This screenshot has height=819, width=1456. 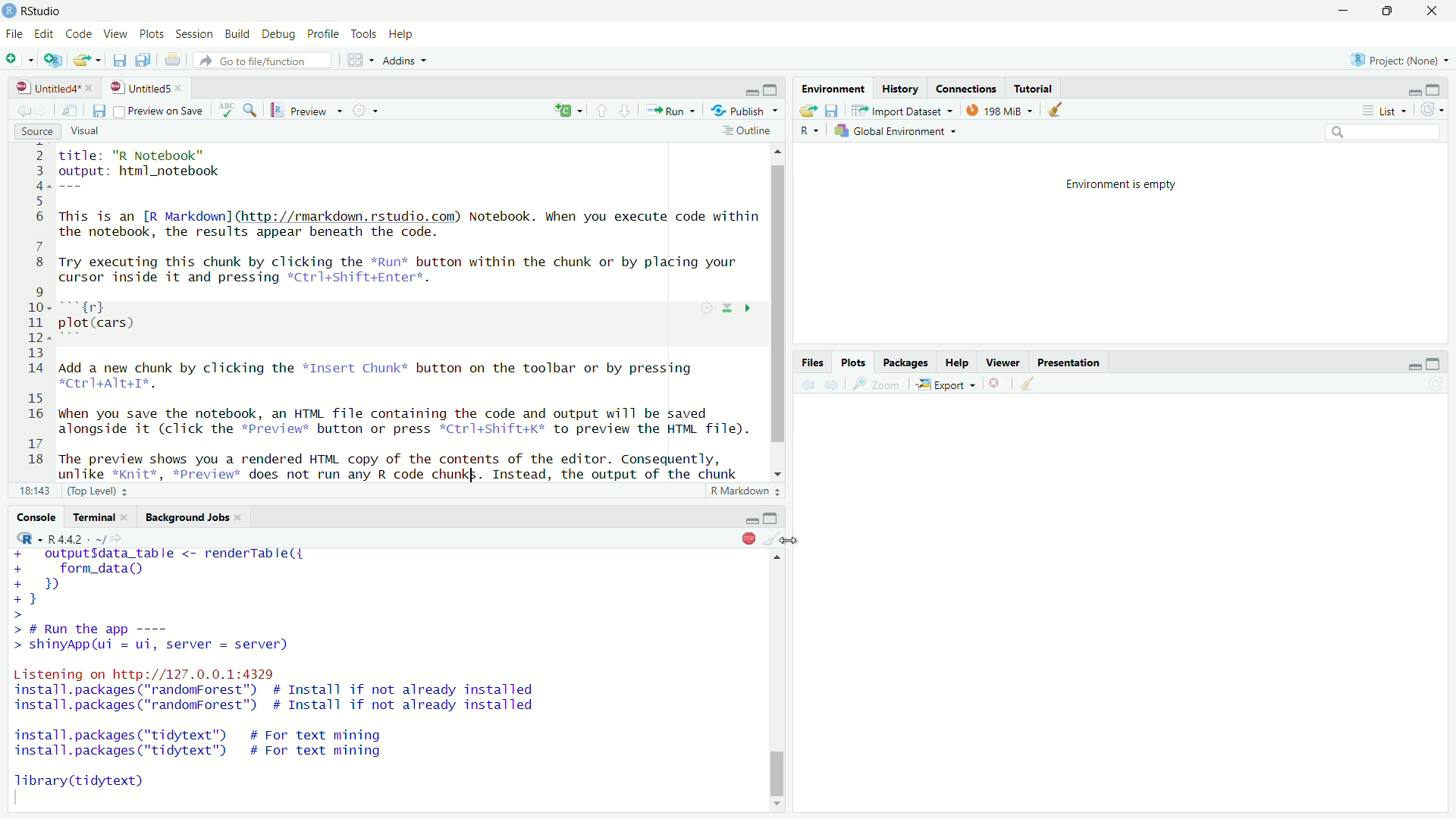 I want to click on Presentation, so click(x=1068, y=362).